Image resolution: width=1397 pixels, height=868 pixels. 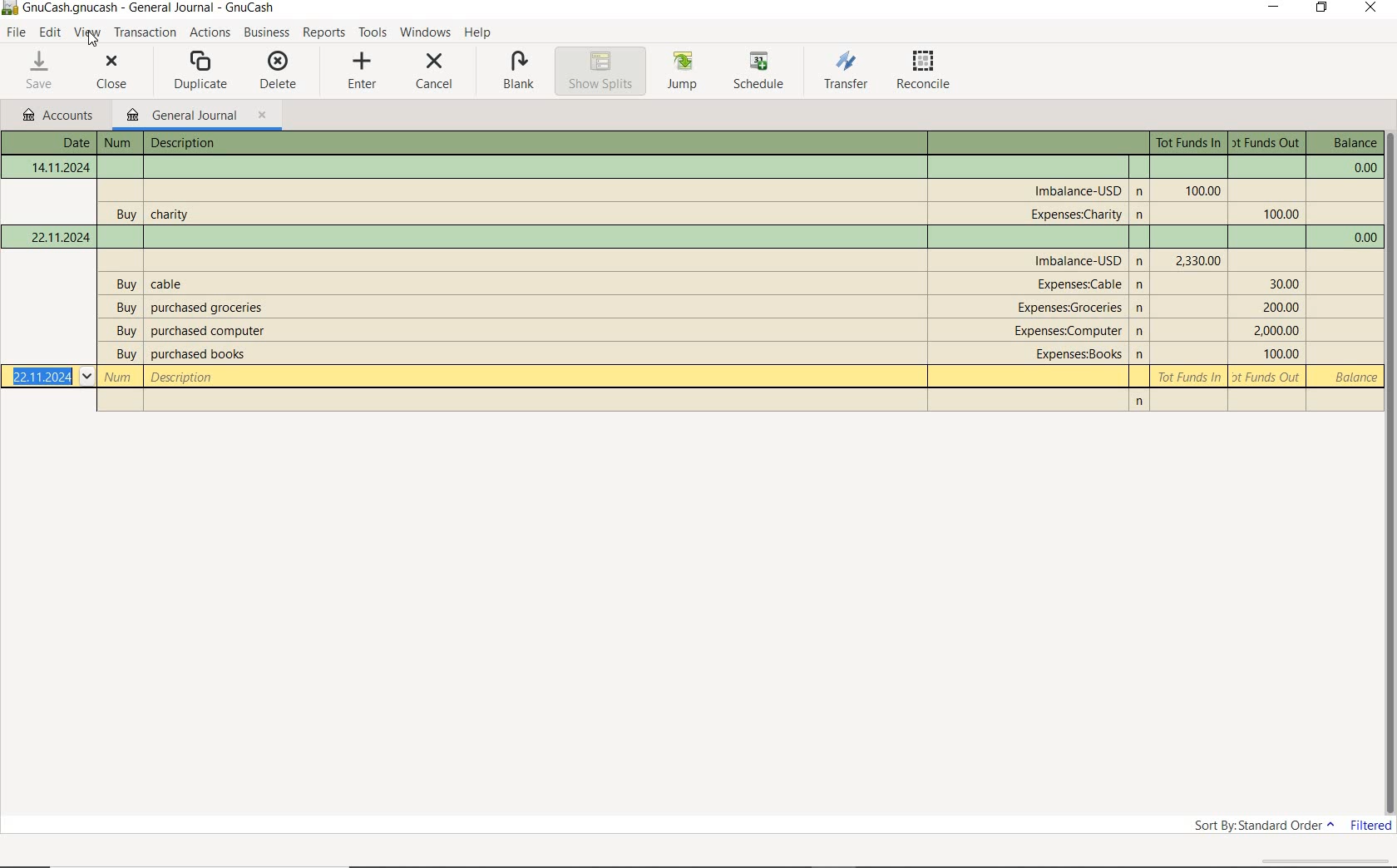 I want to click on n, so click(x=1142, y=216).